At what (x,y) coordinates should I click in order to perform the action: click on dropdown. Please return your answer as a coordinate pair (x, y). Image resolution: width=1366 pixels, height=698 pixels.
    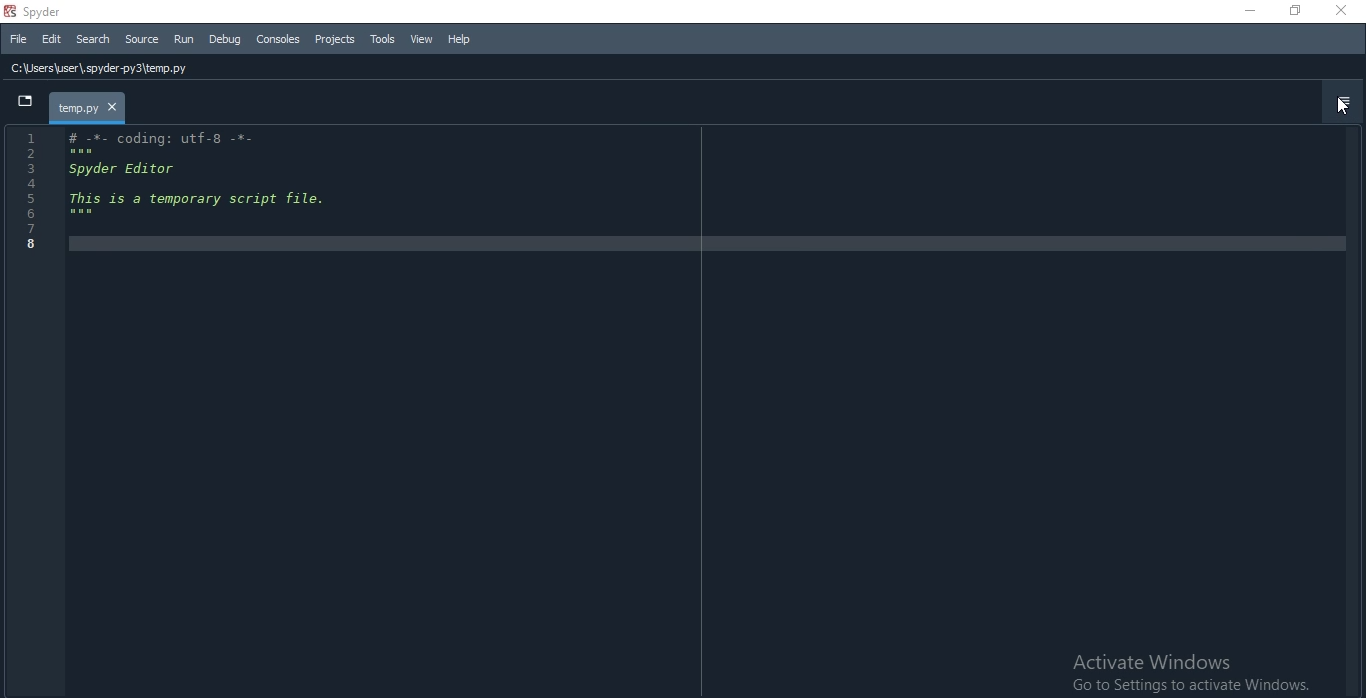
    Looking at the image, I should click on (25, 104).